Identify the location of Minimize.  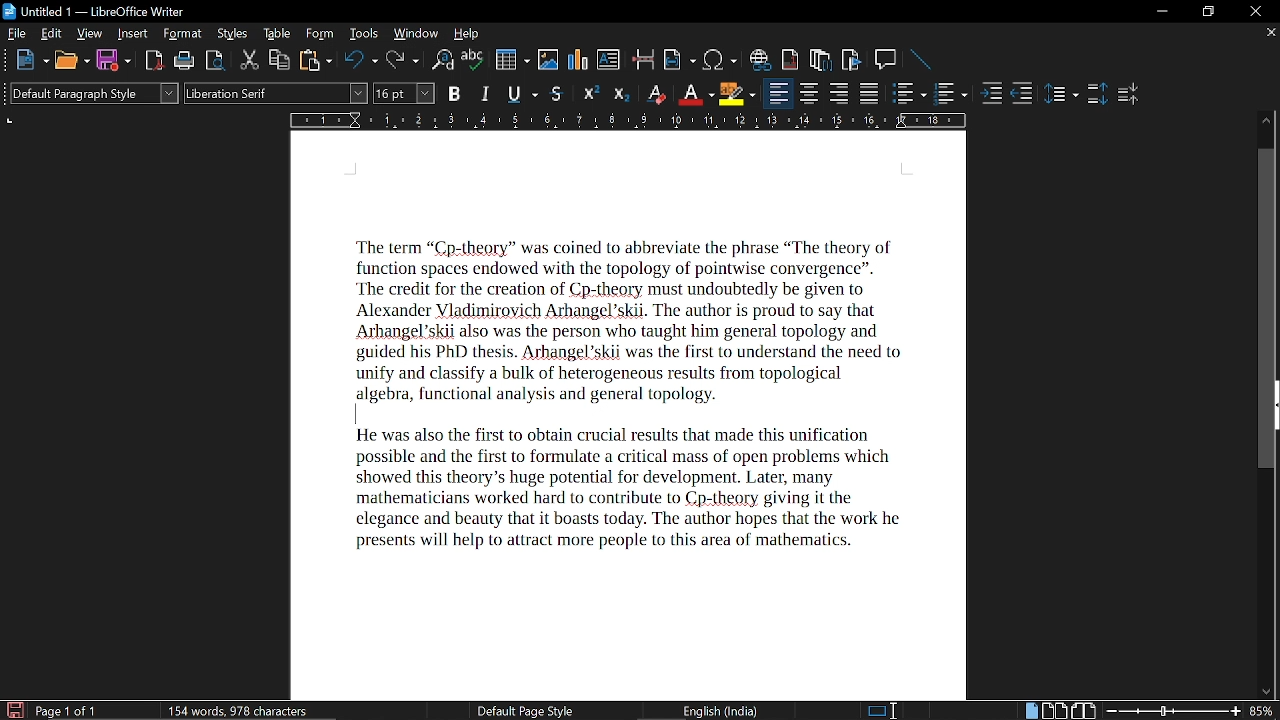
(1159, 13).